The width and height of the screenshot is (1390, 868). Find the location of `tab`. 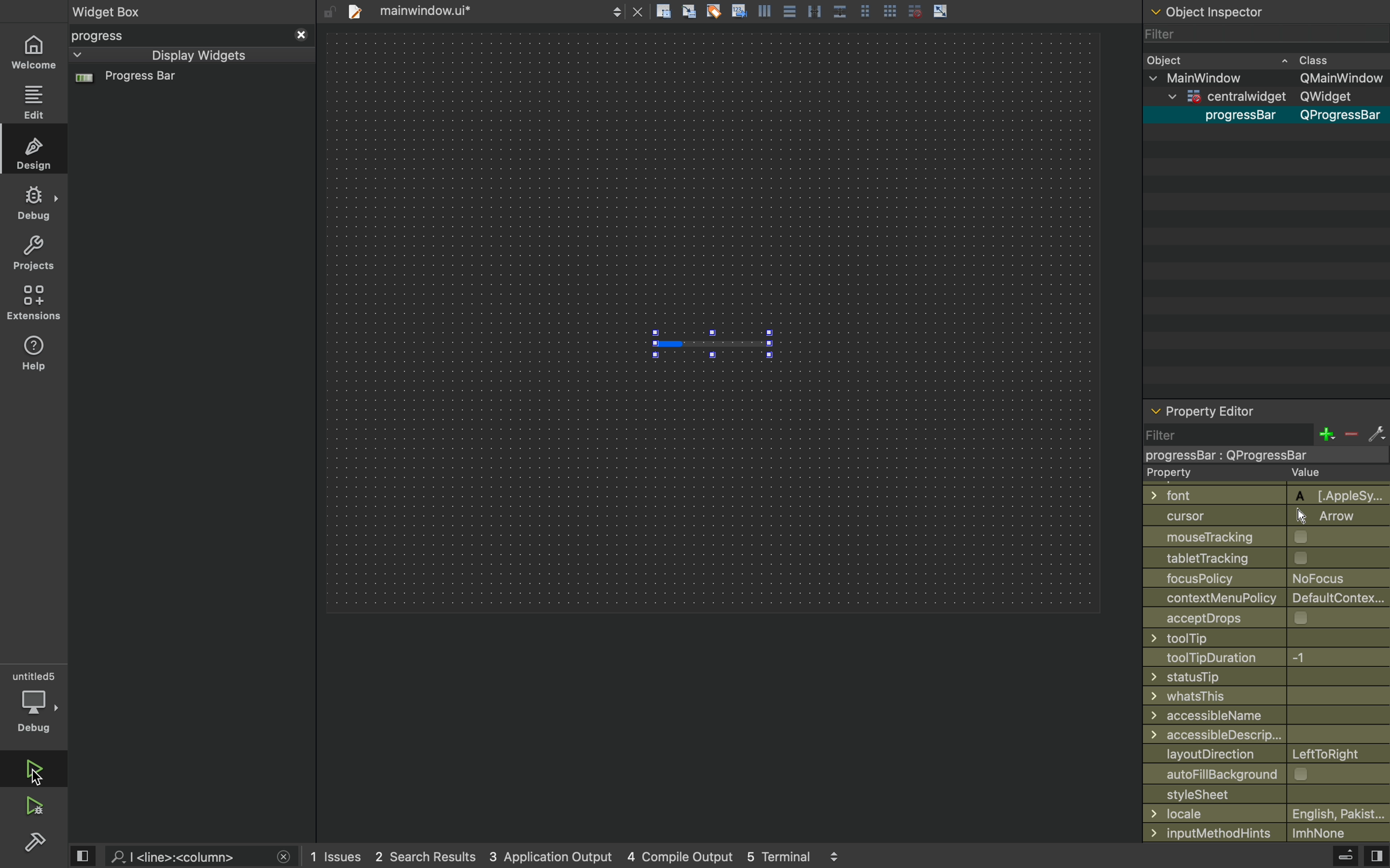

tab is located at coordinates (492, 10).